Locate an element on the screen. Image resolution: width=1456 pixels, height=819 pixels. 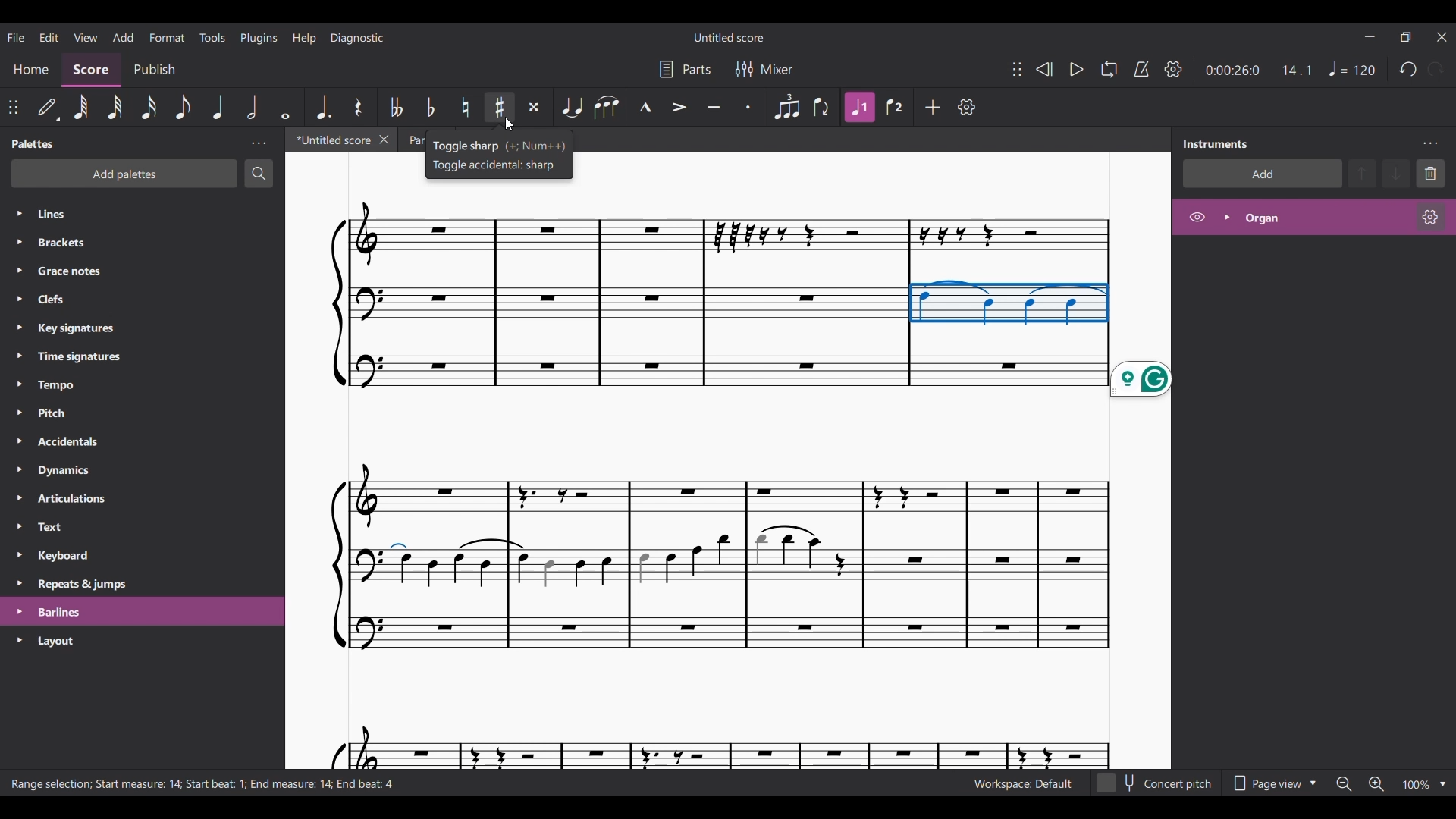
Zoom out is located at coordinates (1343, 784).